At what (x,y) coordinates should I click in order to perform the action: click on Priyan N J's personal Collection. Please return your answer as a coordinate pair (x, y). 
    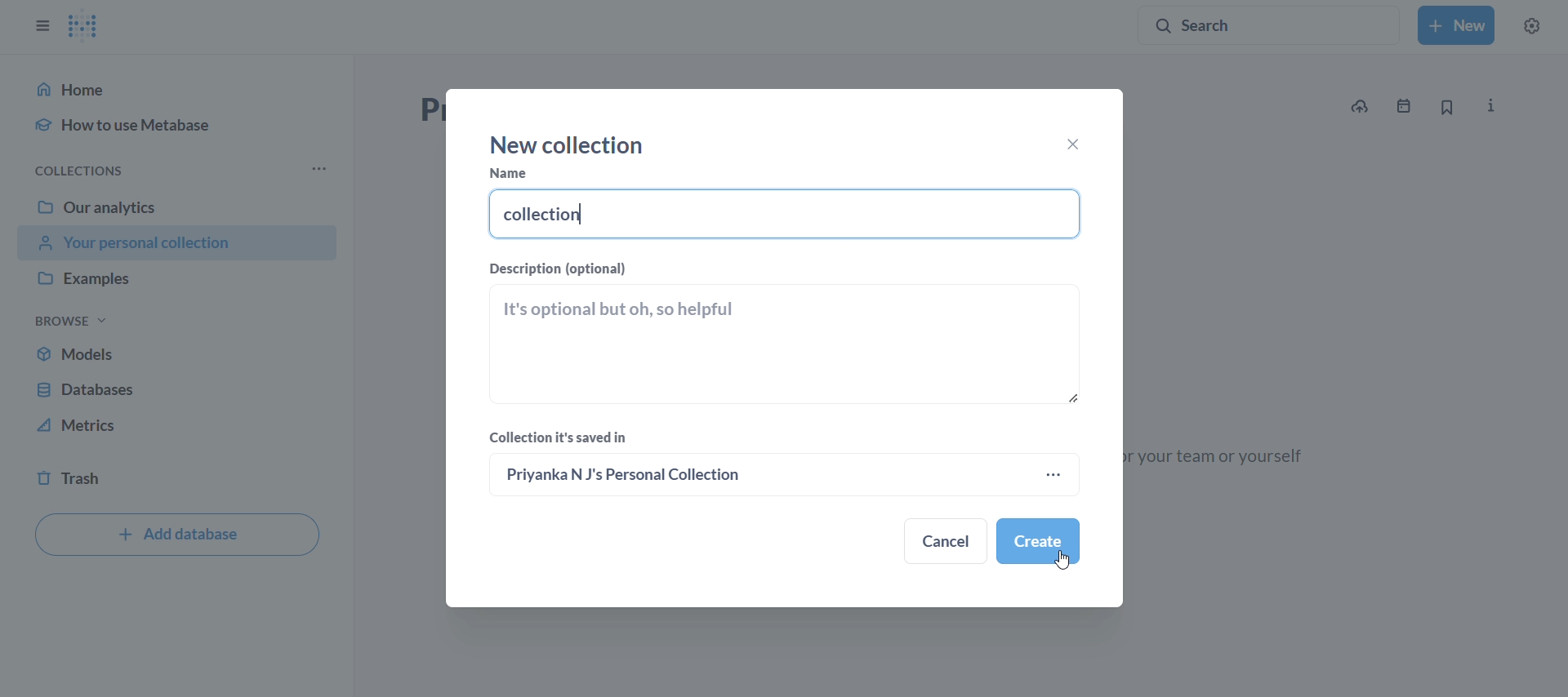
    Looking at the image, I should click on (755, 473).